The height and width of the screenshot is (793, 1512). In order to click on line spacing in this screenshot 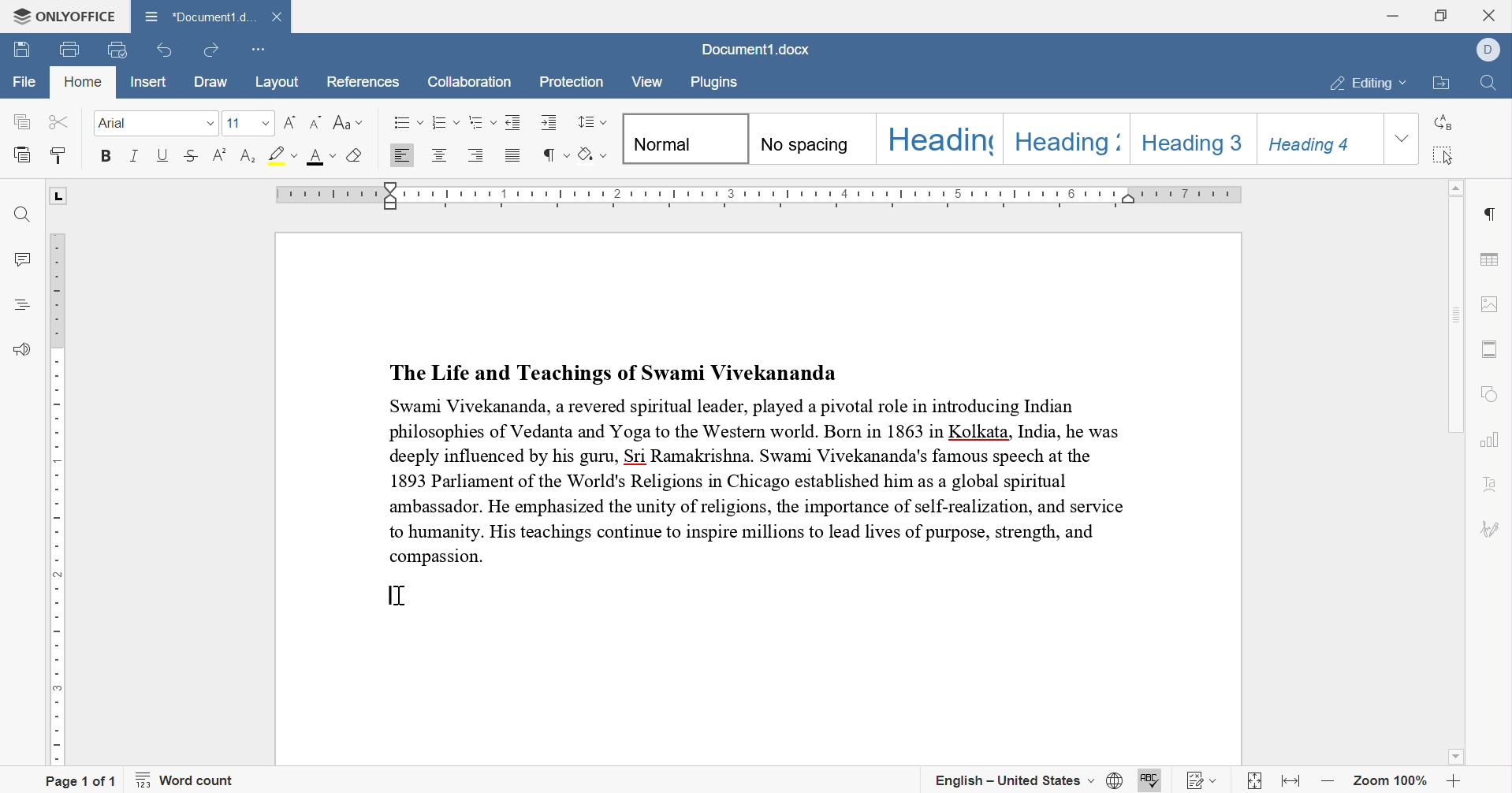, I will do `click(590, 122)`.